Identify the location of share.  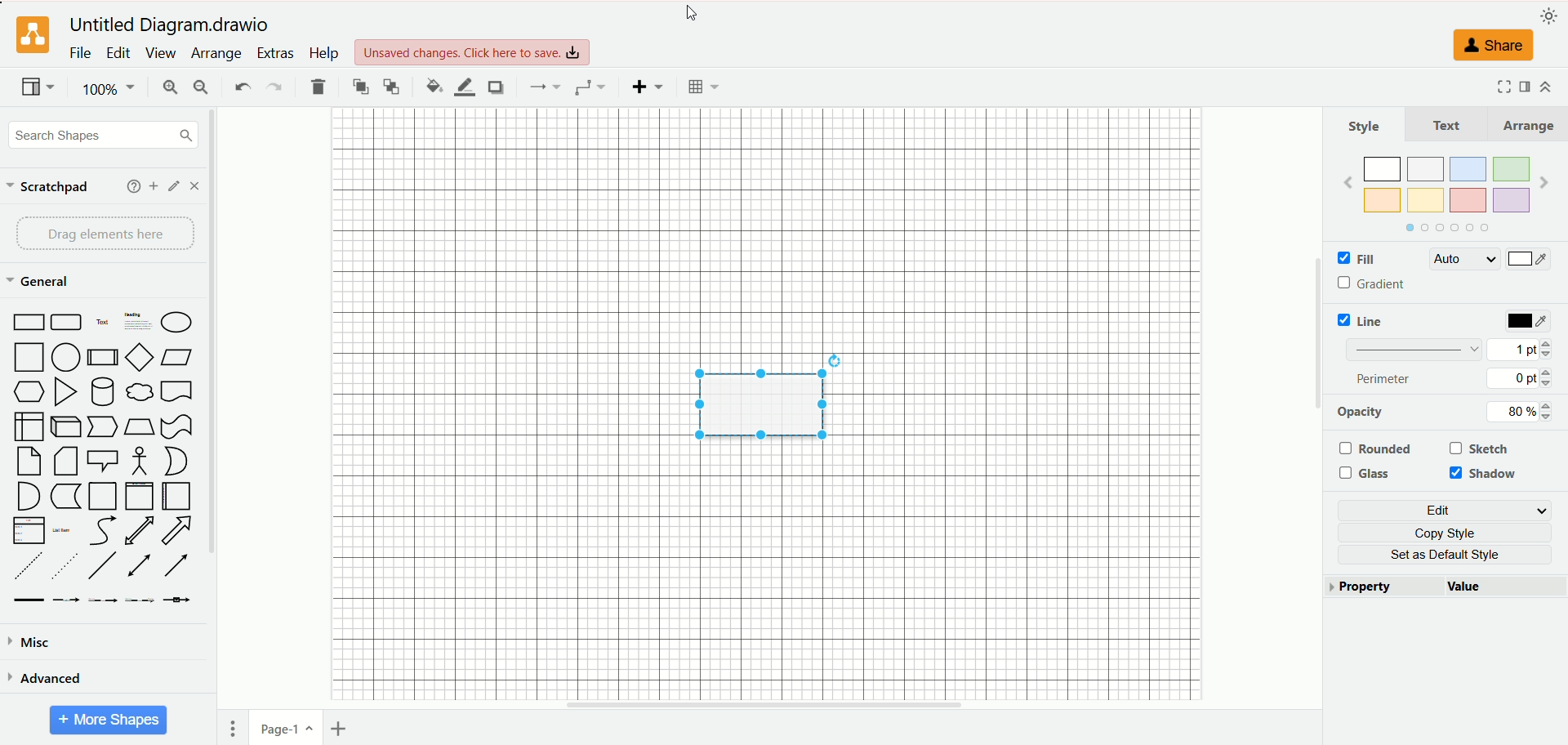
(1489, 45).